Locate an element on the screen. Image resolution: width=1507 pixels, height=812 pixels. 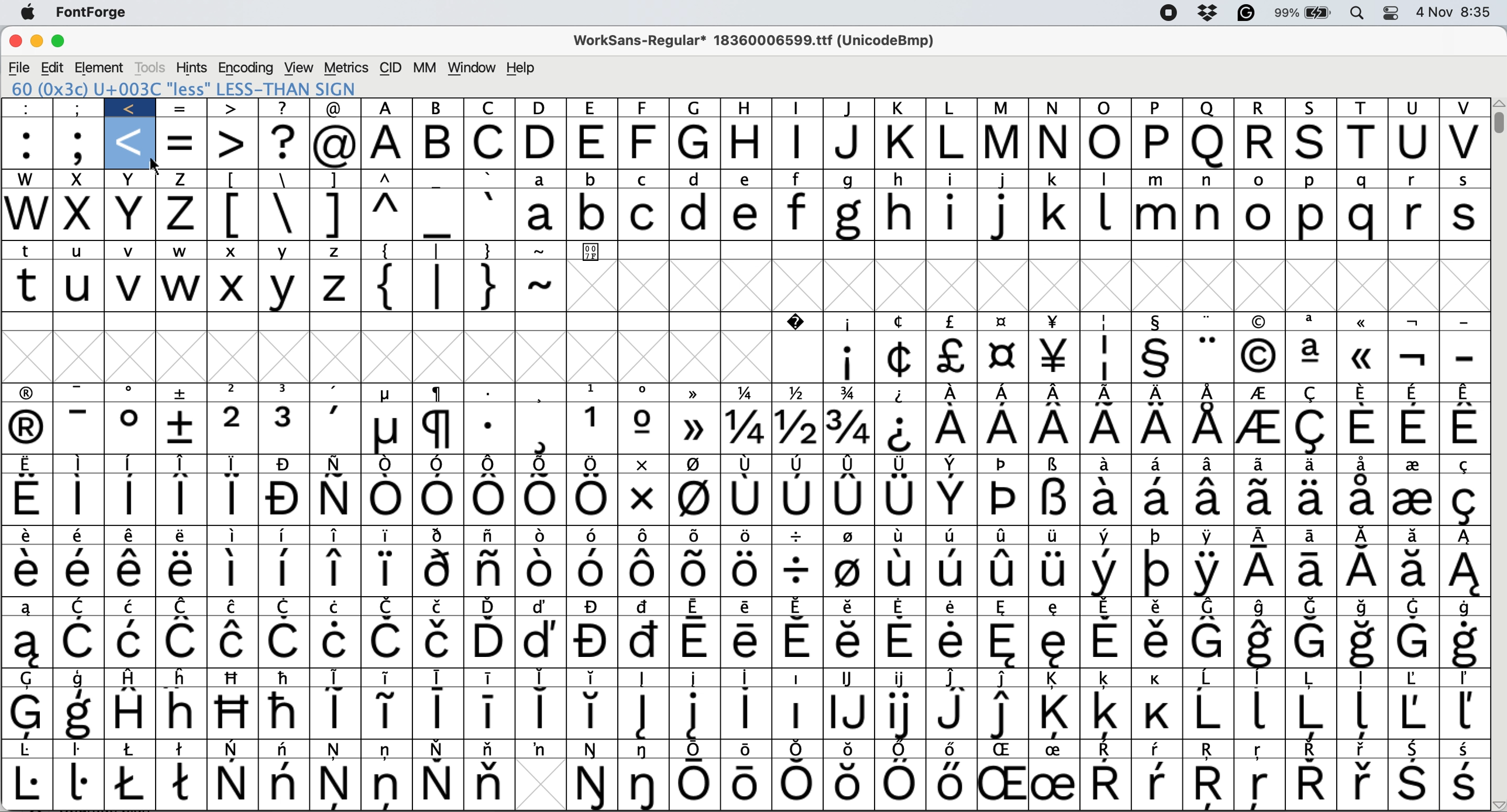
Symbol is located at coordinates (29, 609).